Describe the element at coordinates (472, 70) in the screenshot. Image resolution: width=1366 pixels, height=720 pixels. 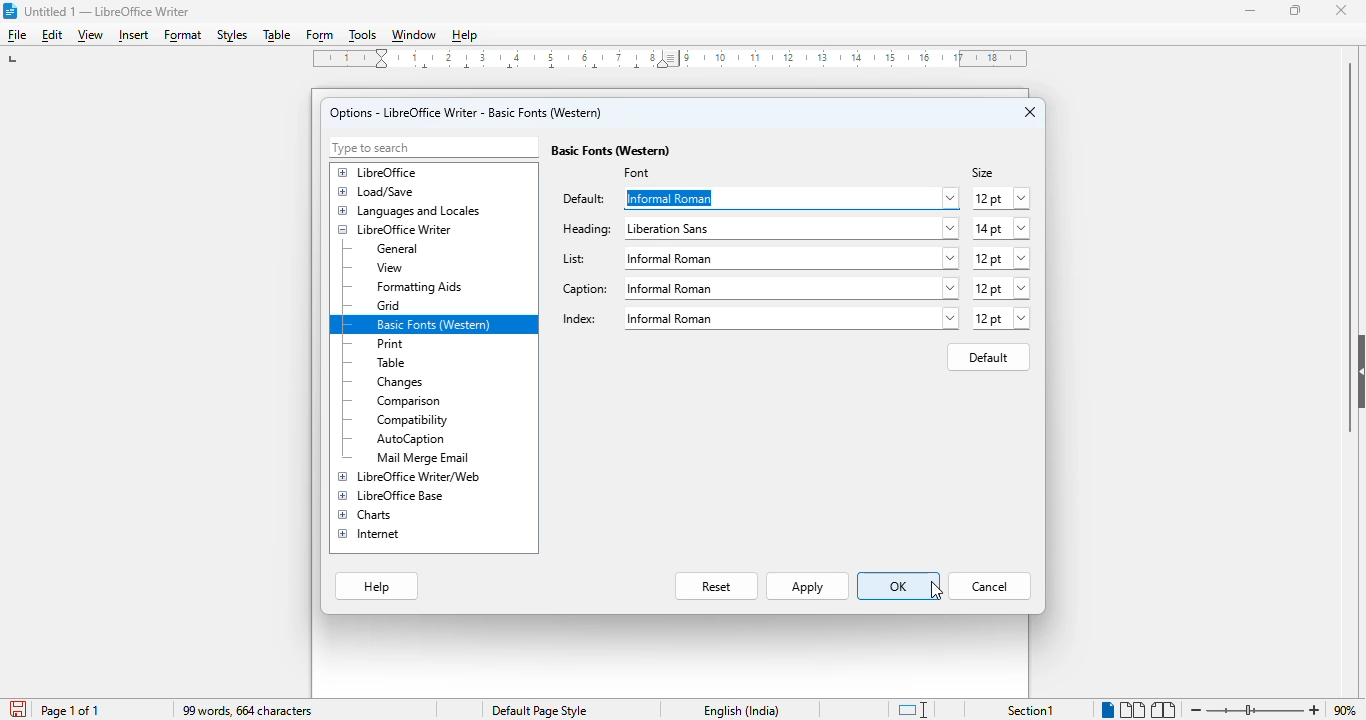
I see `center tab` at that location.